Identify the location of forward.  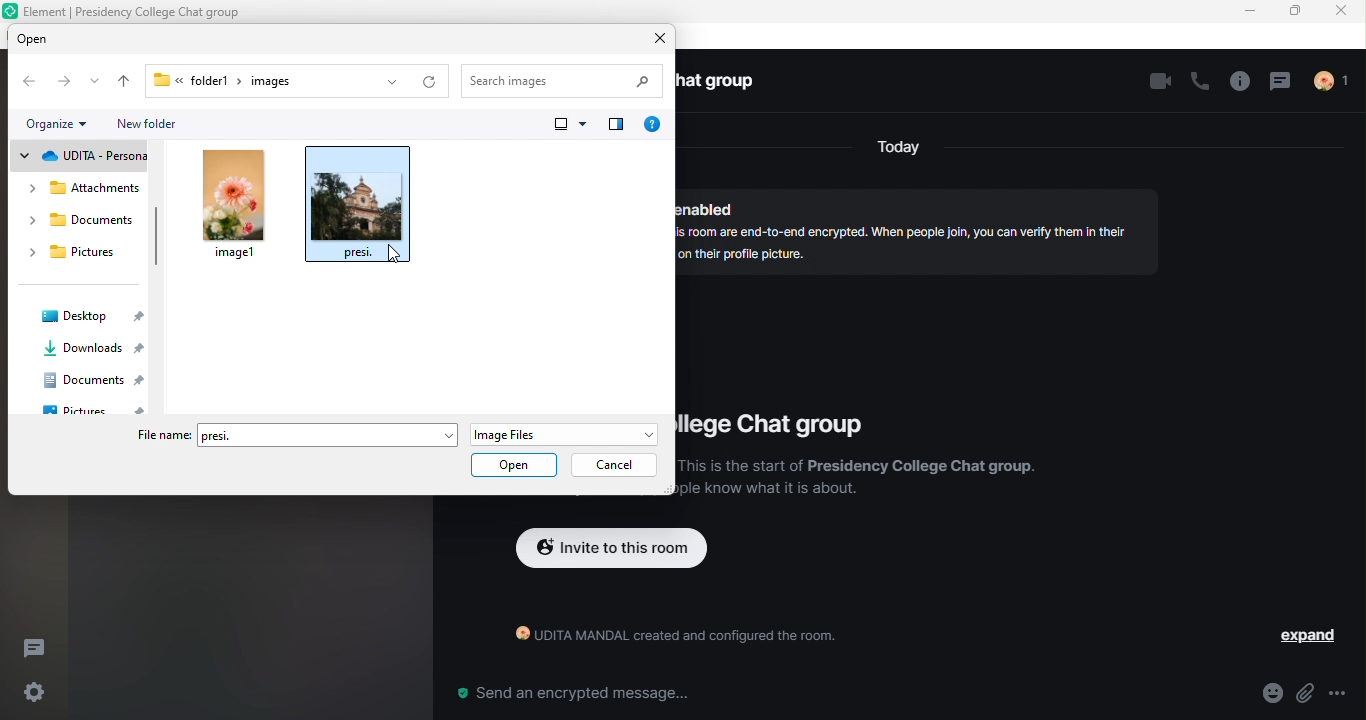
(63, 83).